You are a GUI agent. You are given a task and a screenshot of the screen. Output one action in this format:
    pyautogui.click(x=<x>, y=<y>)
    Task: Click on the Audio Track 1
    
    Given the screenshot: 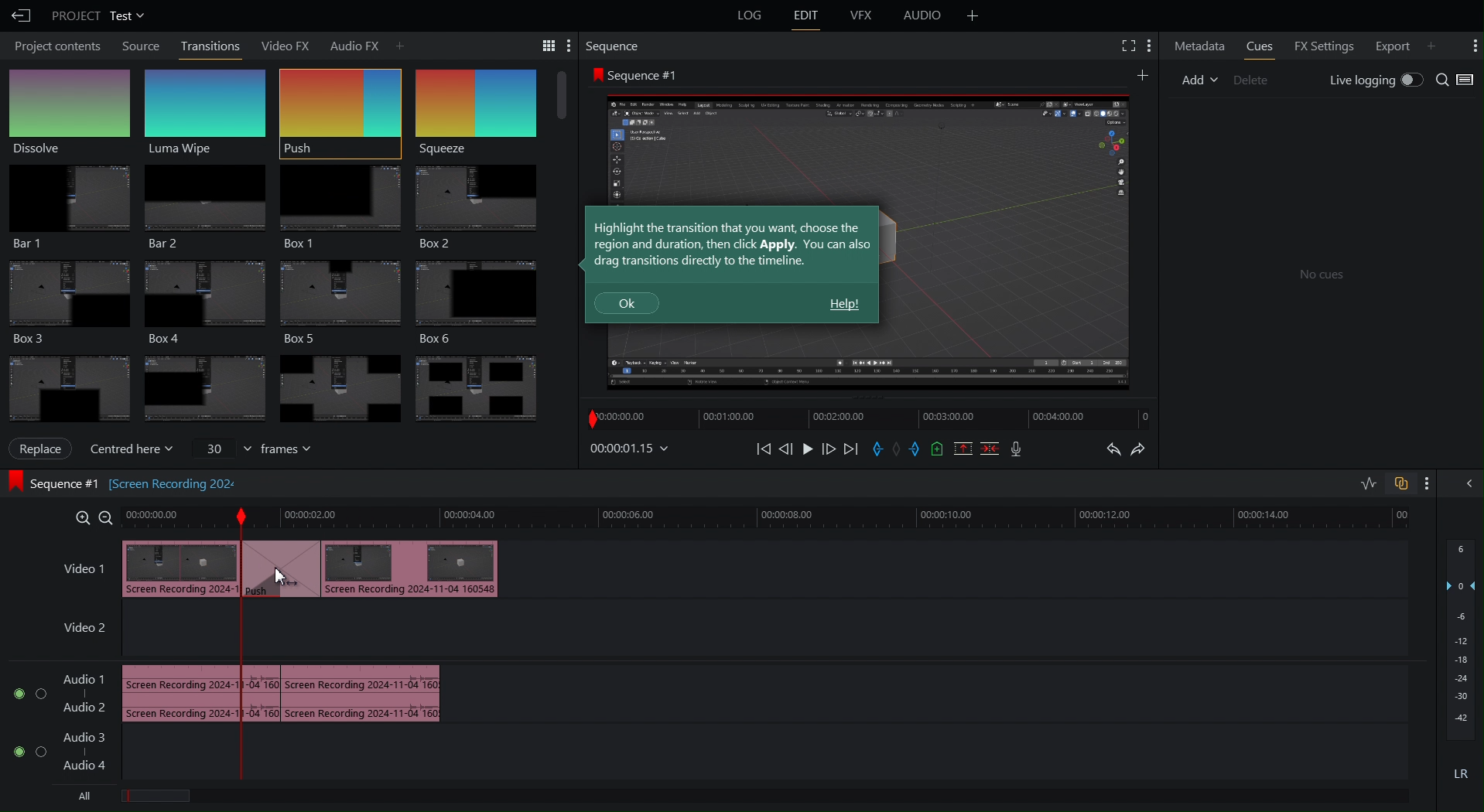 What is the action you would take?
    pyautogui.click(x=84, y=676)
    